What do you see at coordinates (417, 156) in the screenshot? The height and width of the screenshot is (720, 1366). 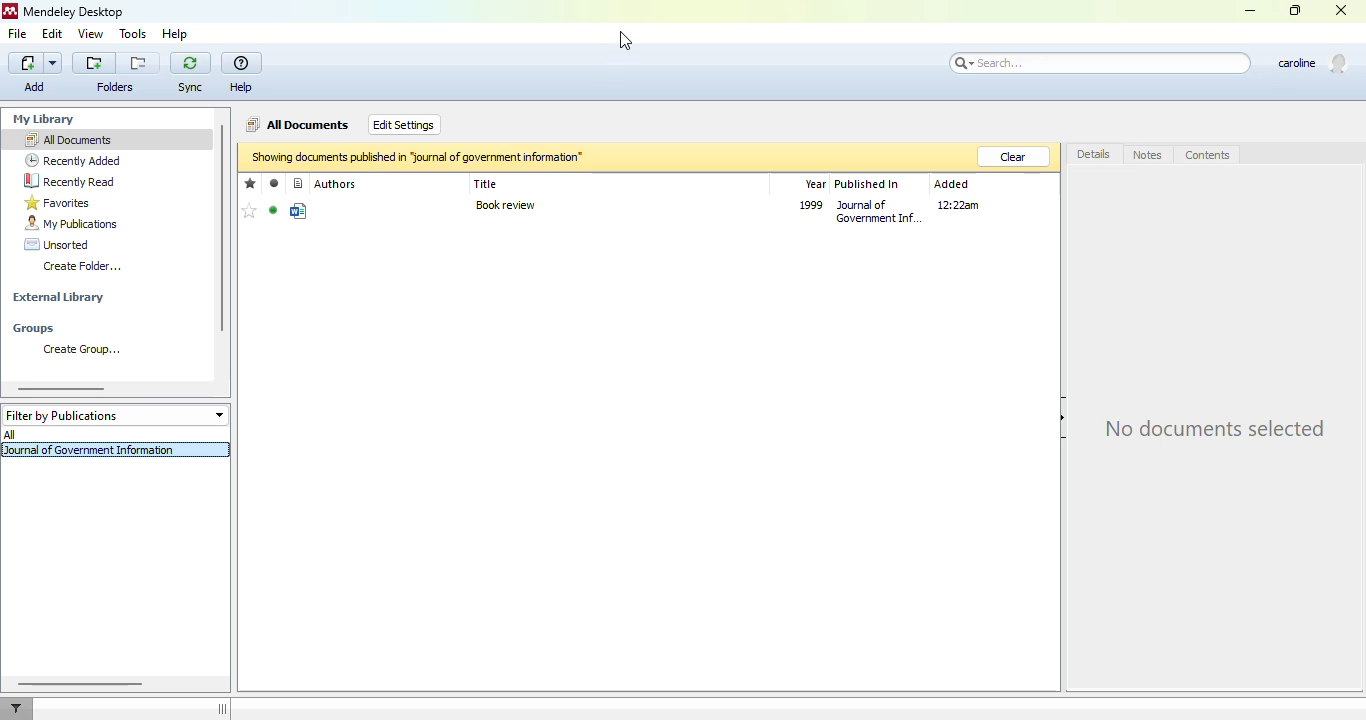 I see `showing documents published in "journal of government information"` at bounding box center [417, 156].